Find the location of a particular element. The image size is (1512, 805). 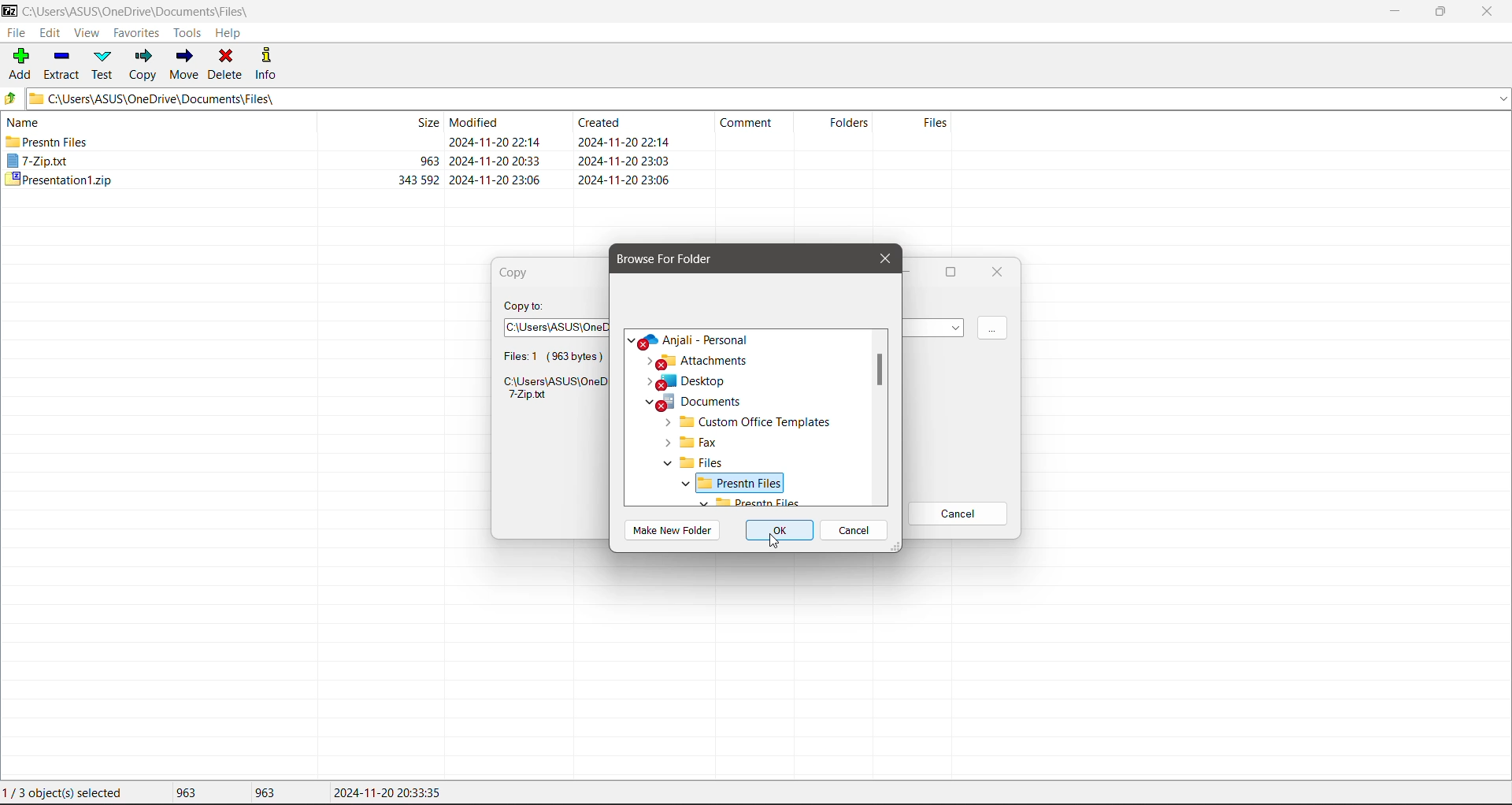

Size of the last file selected is located at coordinates (265, 792).